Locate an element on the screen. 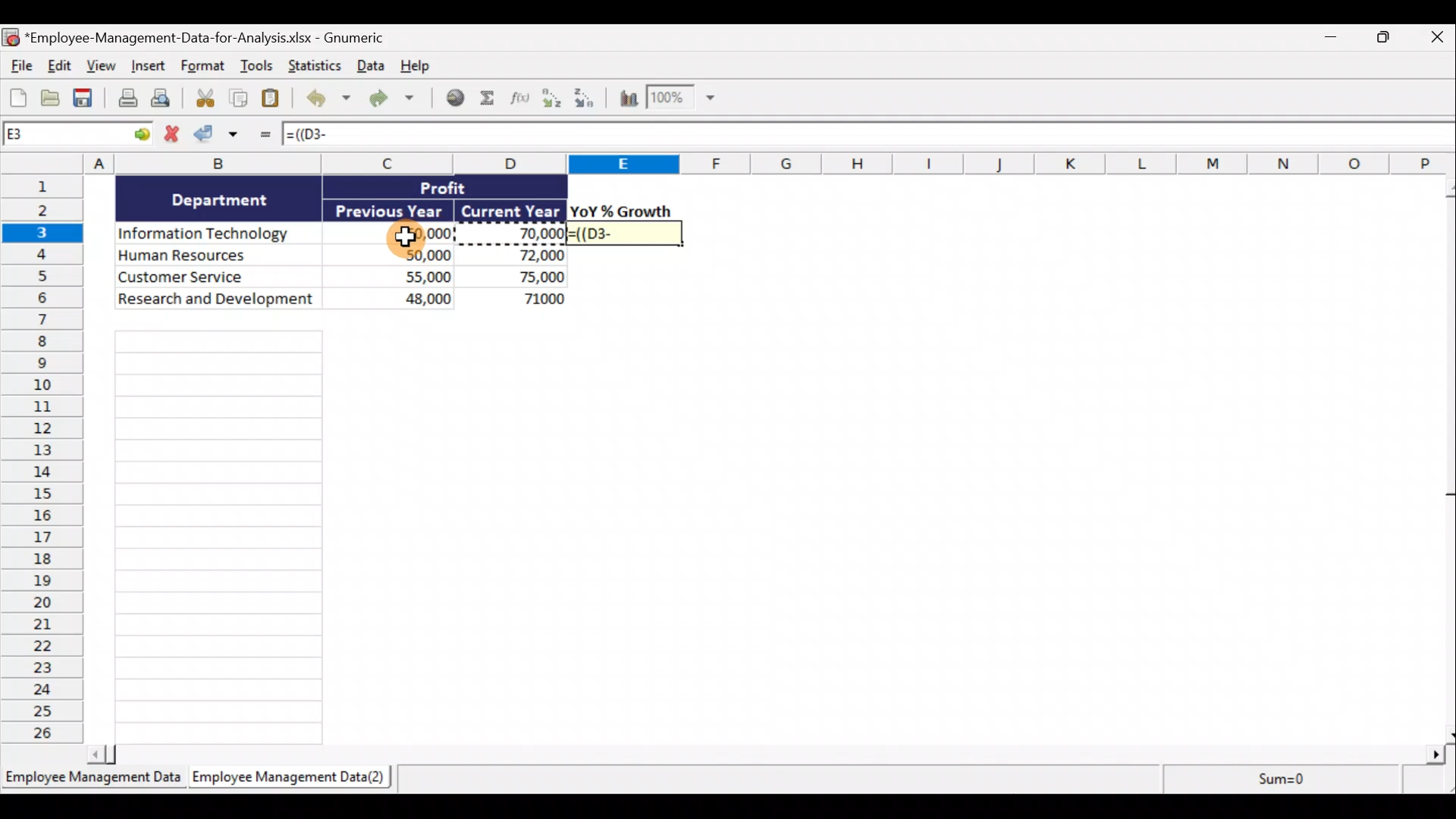  Columns is located at coordinates (728, 163).